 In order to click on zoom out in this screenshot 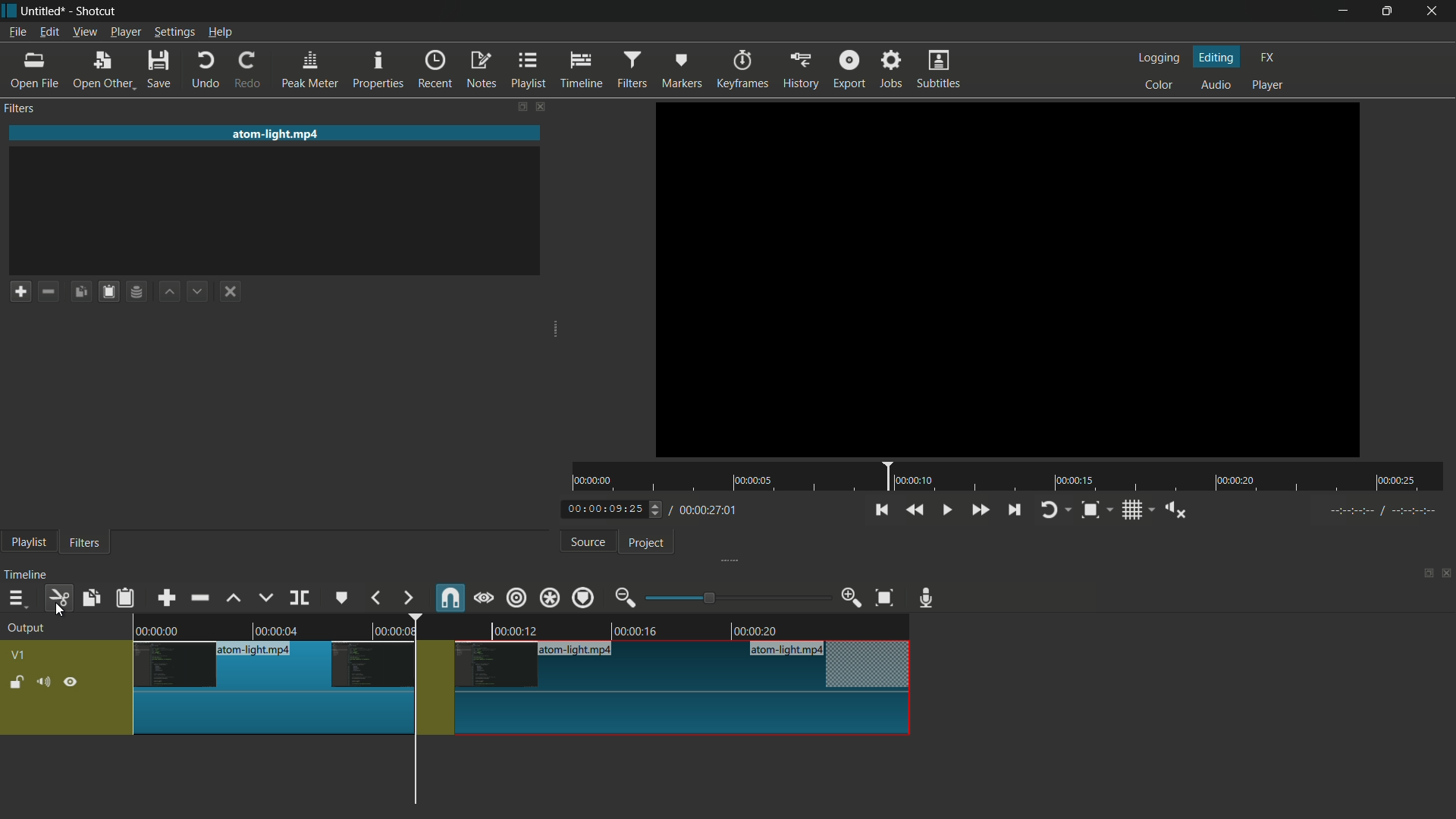, I will do `click(627, 598)`.